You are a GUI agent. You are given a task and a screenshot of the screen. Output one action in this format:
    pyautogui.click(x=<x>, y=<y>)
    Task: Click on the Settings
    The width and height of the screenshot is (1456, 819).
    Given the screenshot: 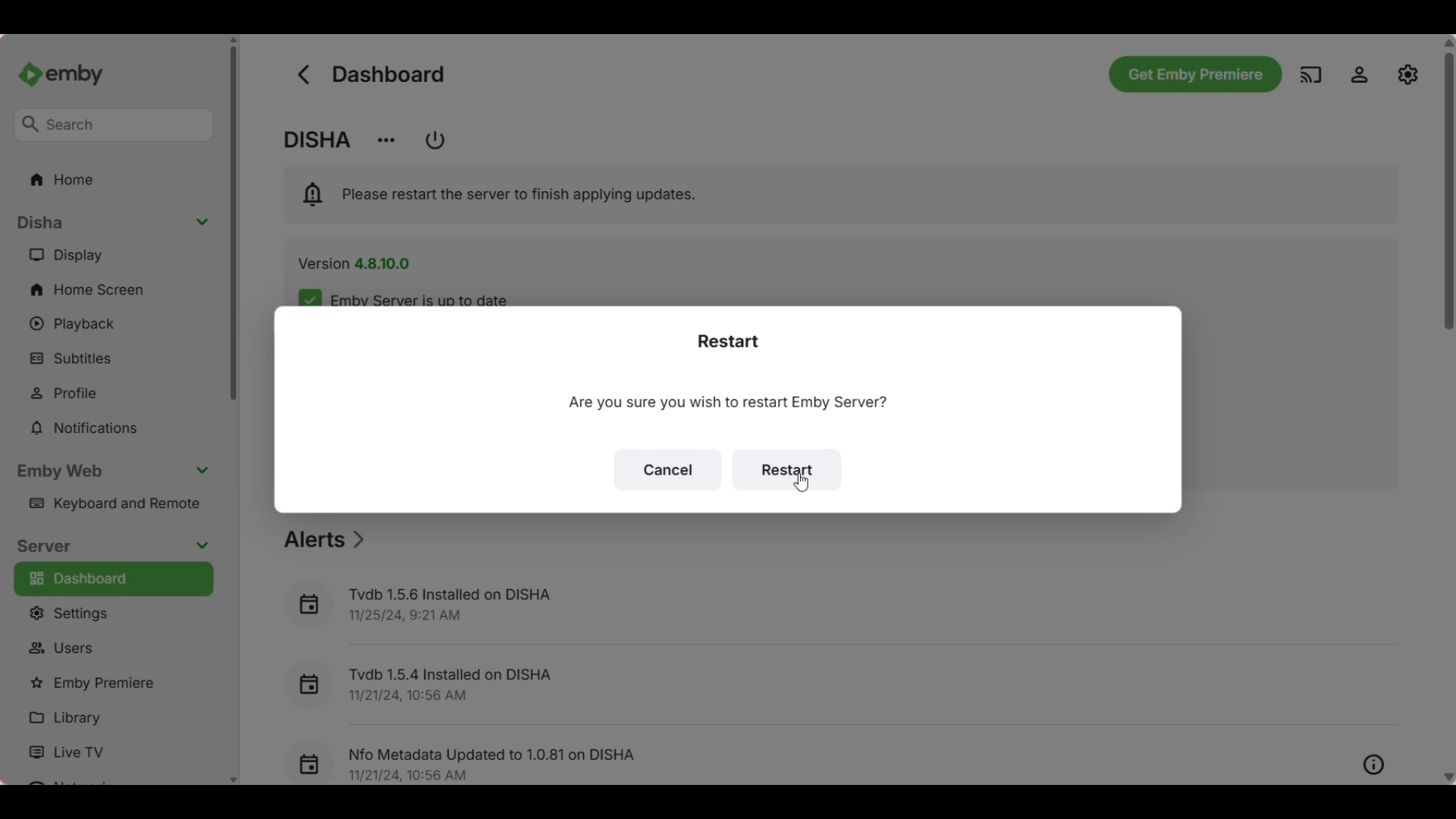 What is the action you would take?
    pyautogui.click(x=1359, y=74)
    